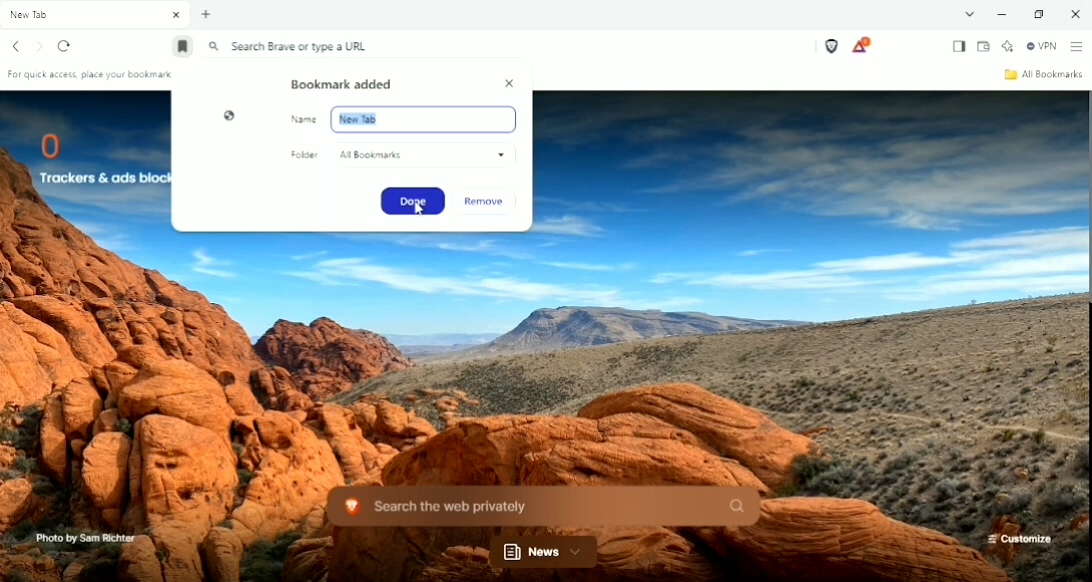 Image resolution: width=1092 pixels, height=582 pixels. Describe the element at coordinates (1074, 13) in the screenshot. I see `Close` at that location.